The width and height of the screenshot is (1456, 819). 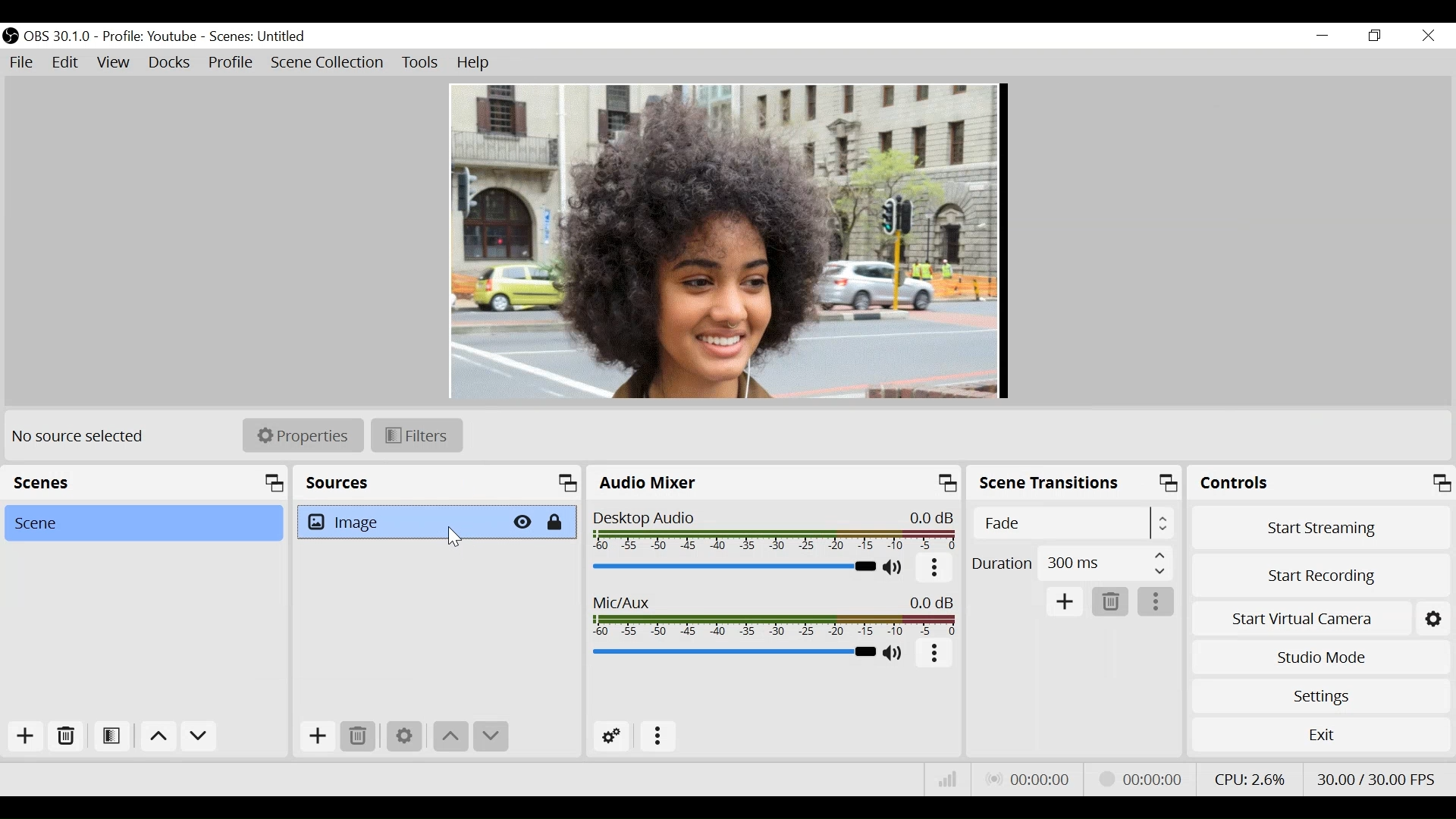 What do you see at coordinates (411, 485) in the screenshot?
I see `Source Panel` at bounding box center [411, 485].